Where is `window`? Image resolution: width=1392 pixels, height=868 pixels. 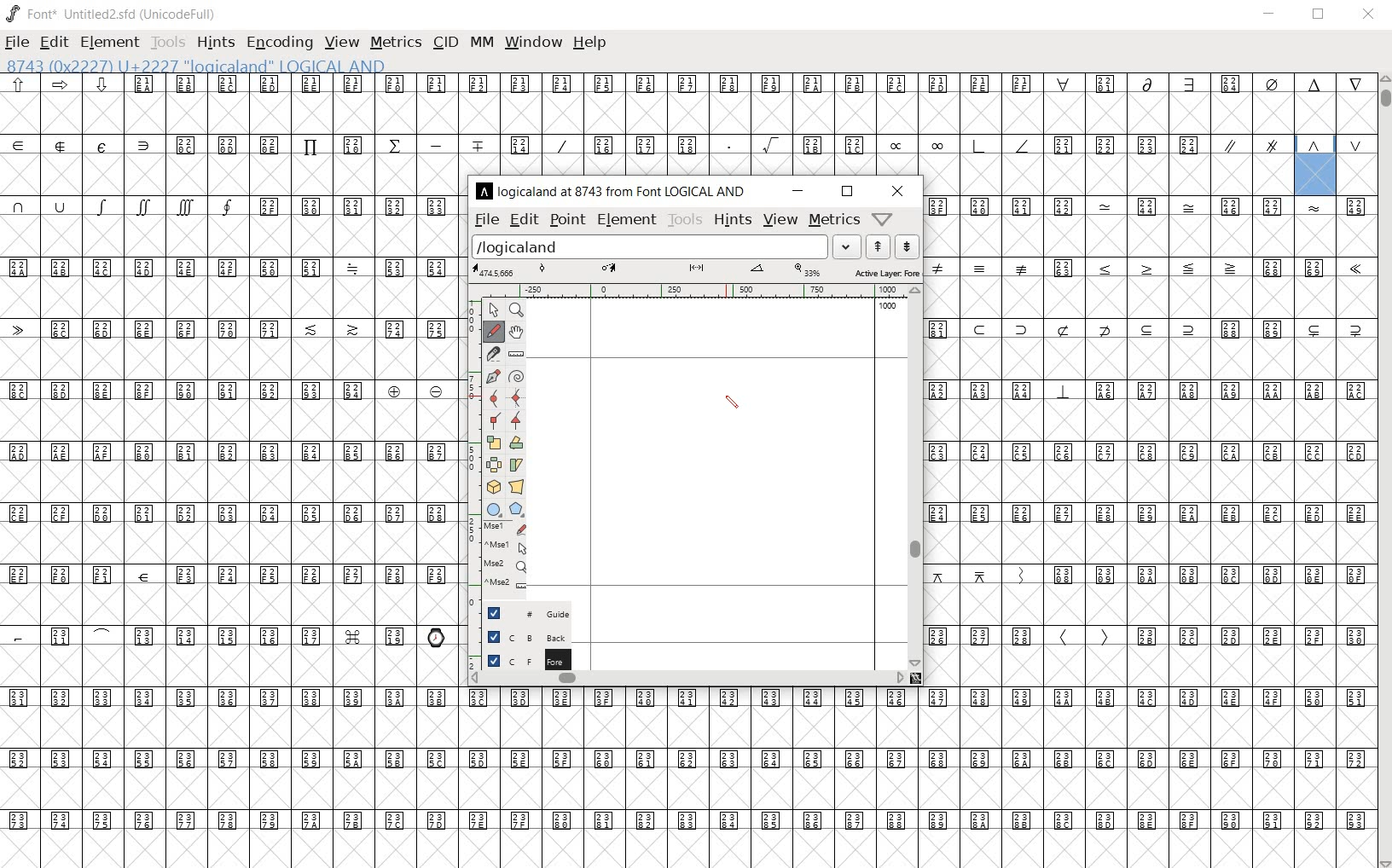 window is located at coordinates (532, 42).